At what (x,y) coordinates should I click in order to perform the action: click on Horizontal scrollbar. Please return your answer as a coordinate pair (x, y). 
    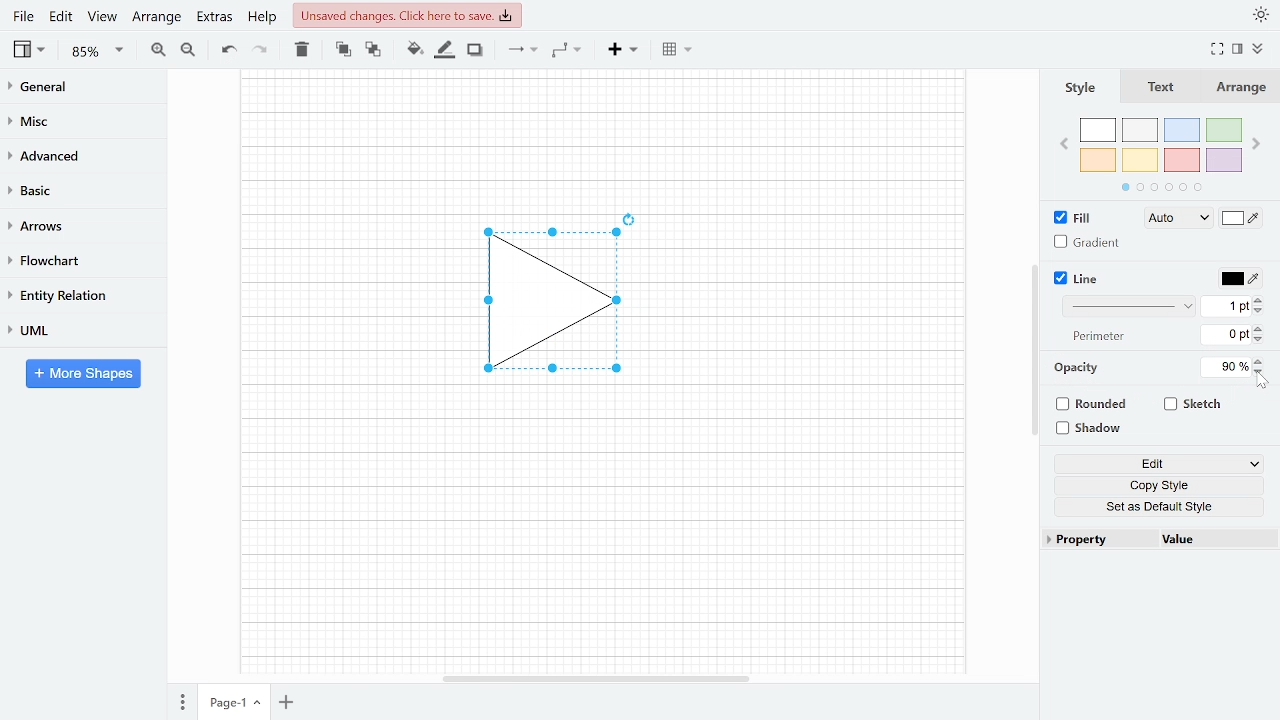
    Looking at the image, I should click on (598, 678).